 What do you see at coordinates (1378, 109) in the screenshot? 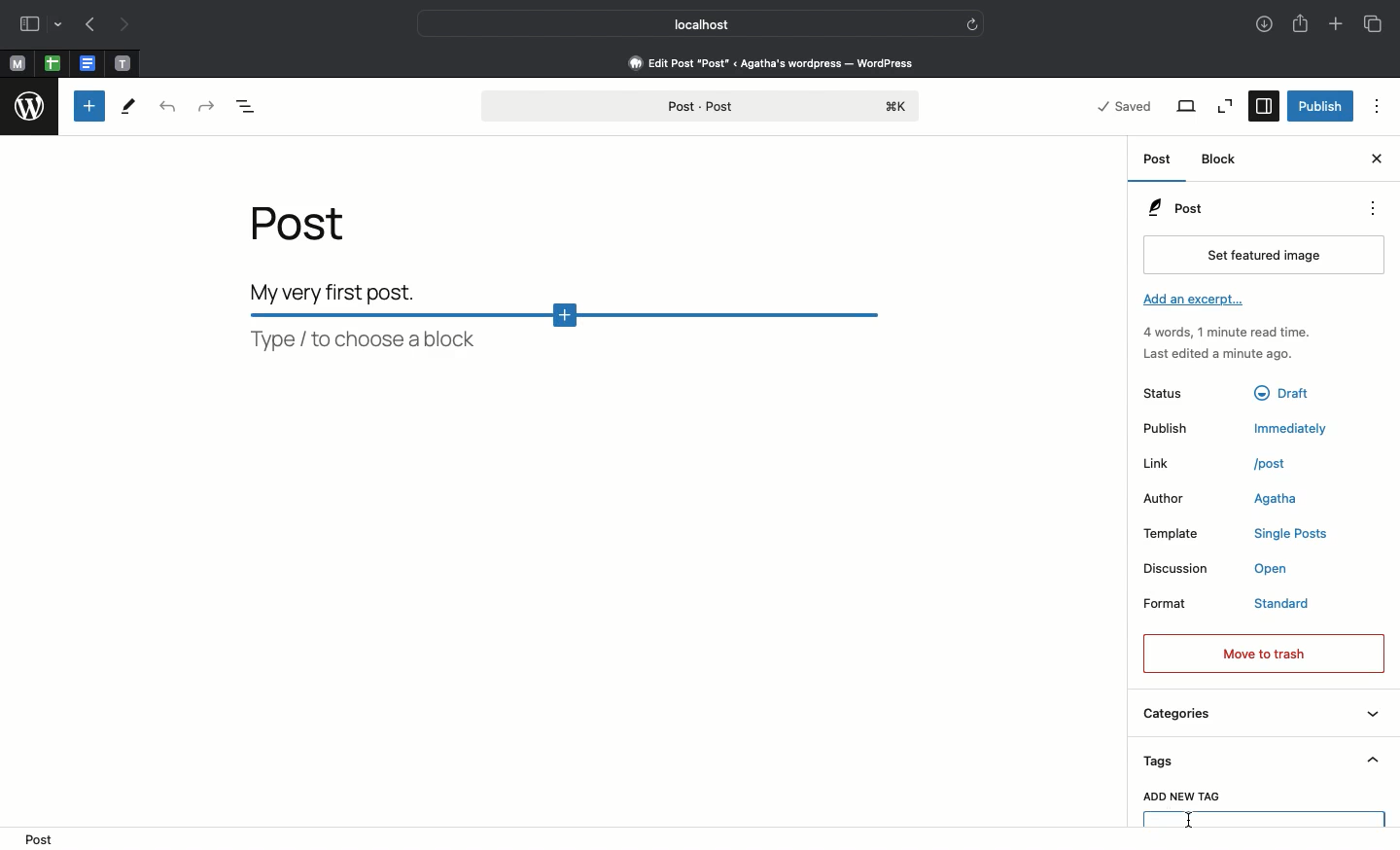
I see `Options` at bounding box center [1378, 109].